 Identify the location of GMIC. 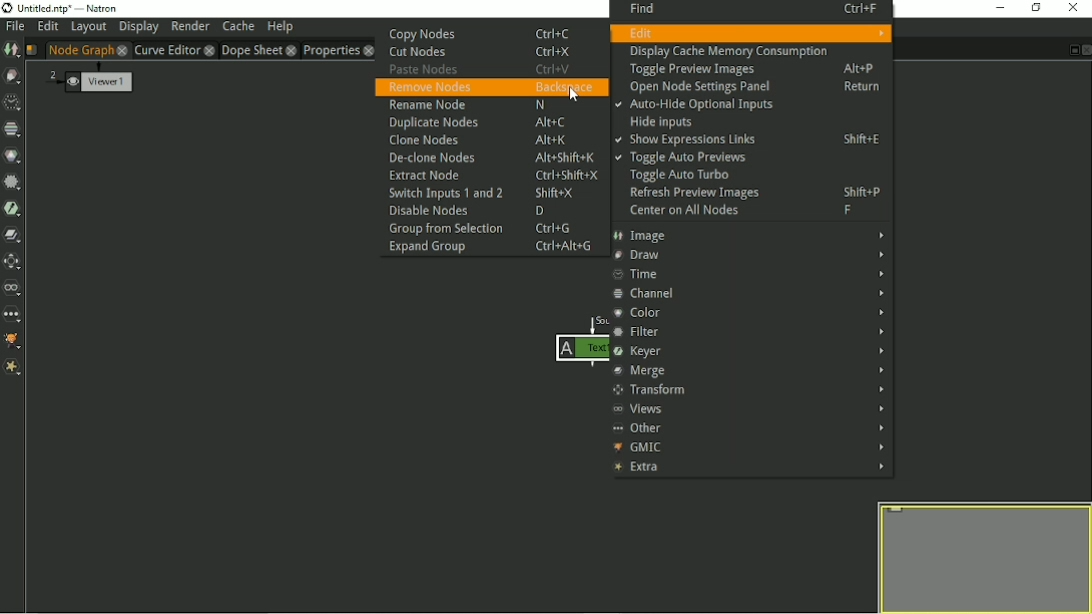
(749, 447).